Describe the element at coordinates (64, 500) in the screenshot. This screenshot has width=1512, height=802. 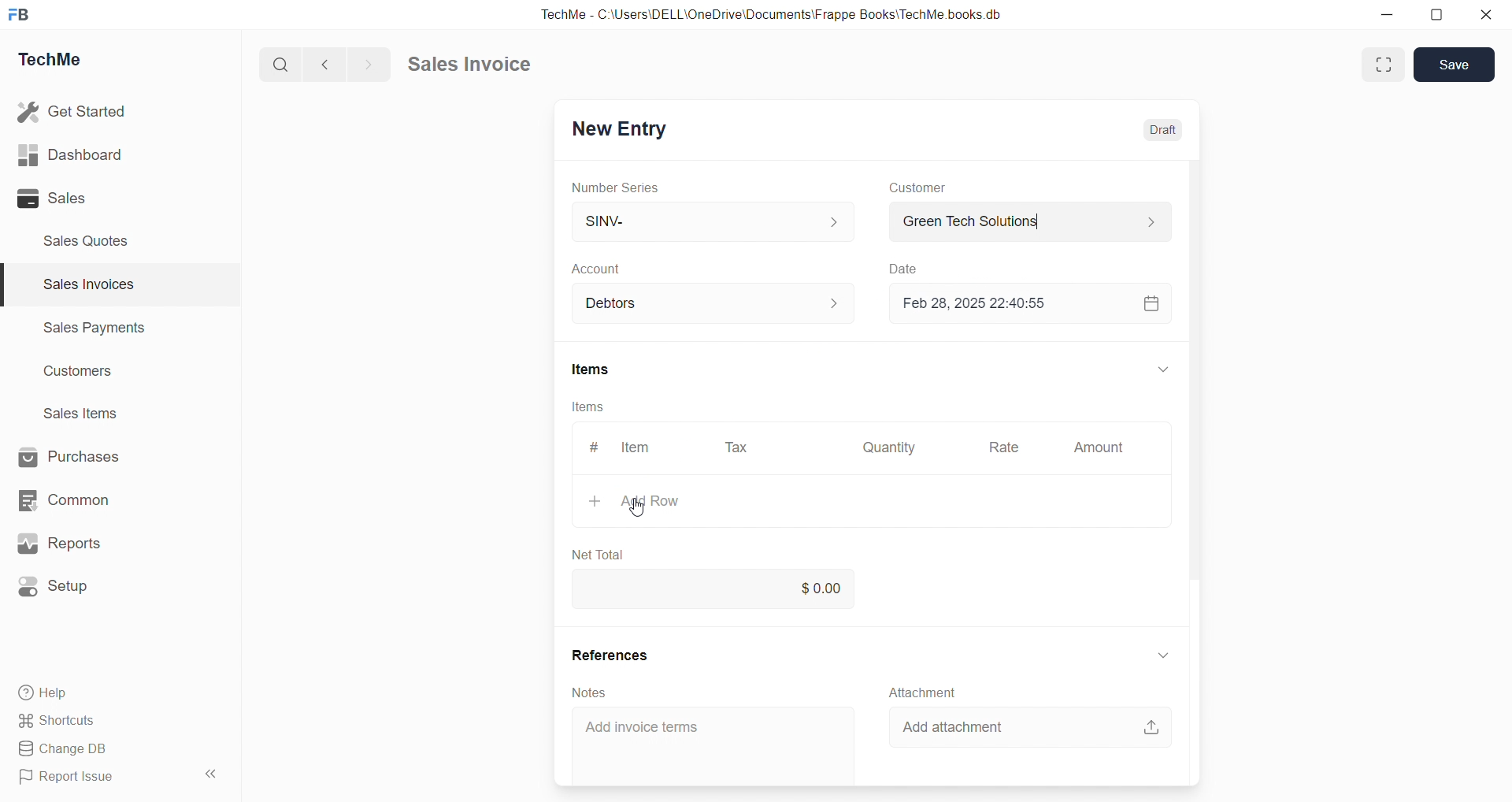
I see `Common` at that location.